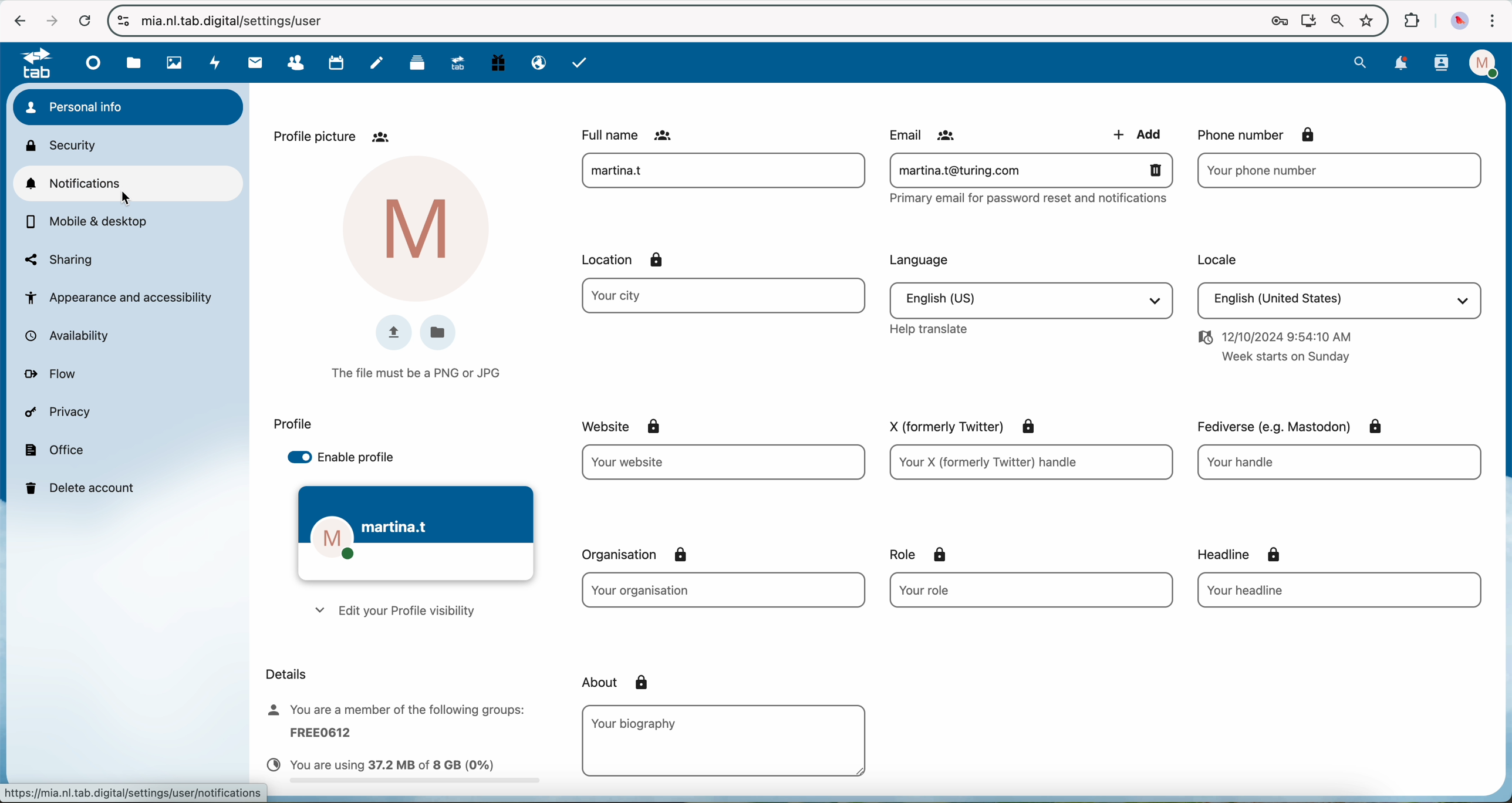 The width and height of the screenshot is (1512, 803). What do you see at coordinates (1340, 171) in the screenshot?
I see `phone number` at bounding box center [1340, 171].